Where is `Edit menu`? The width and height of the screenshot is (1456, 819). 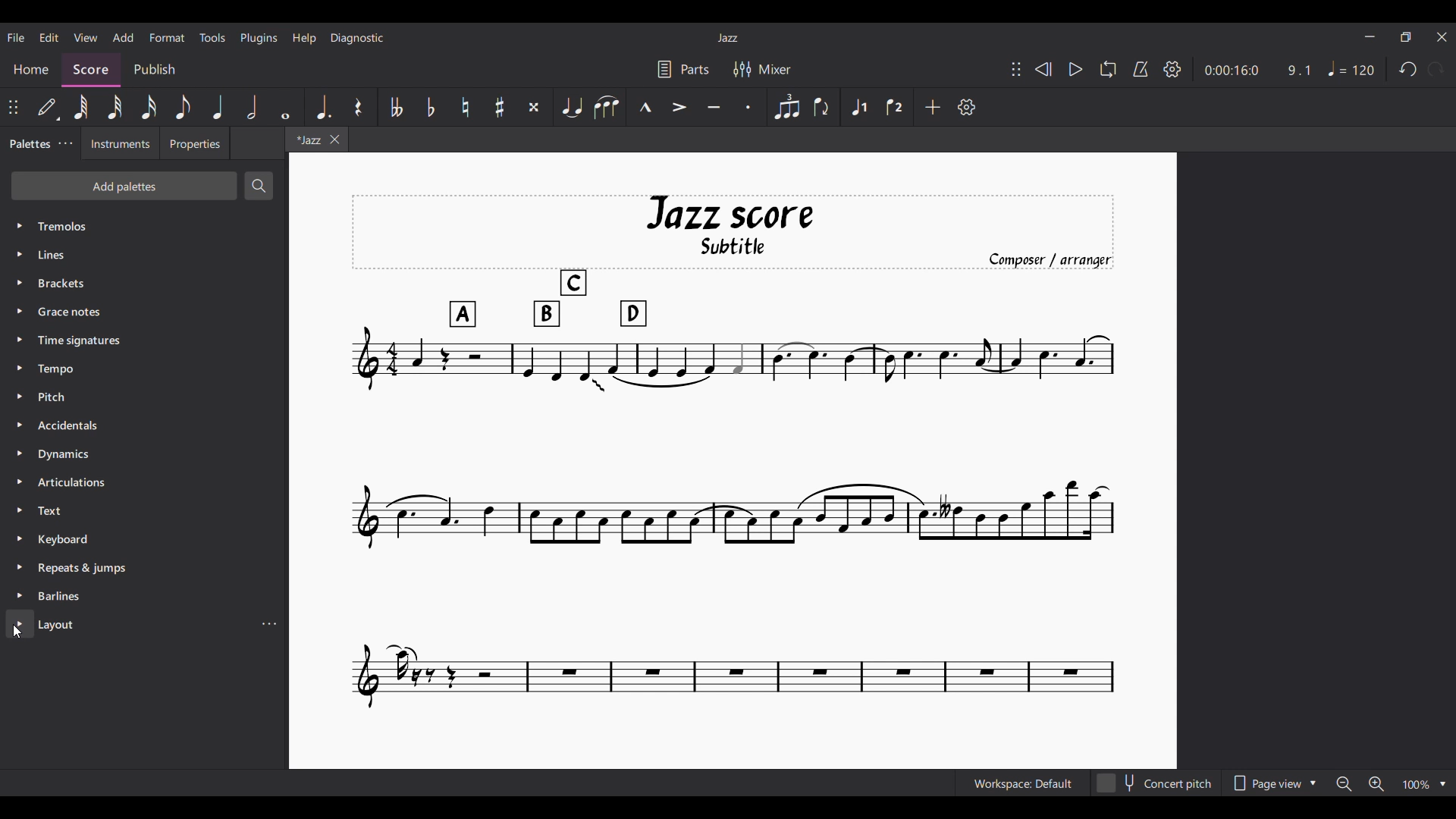
Edit menu is located at coordinates (49, 38).